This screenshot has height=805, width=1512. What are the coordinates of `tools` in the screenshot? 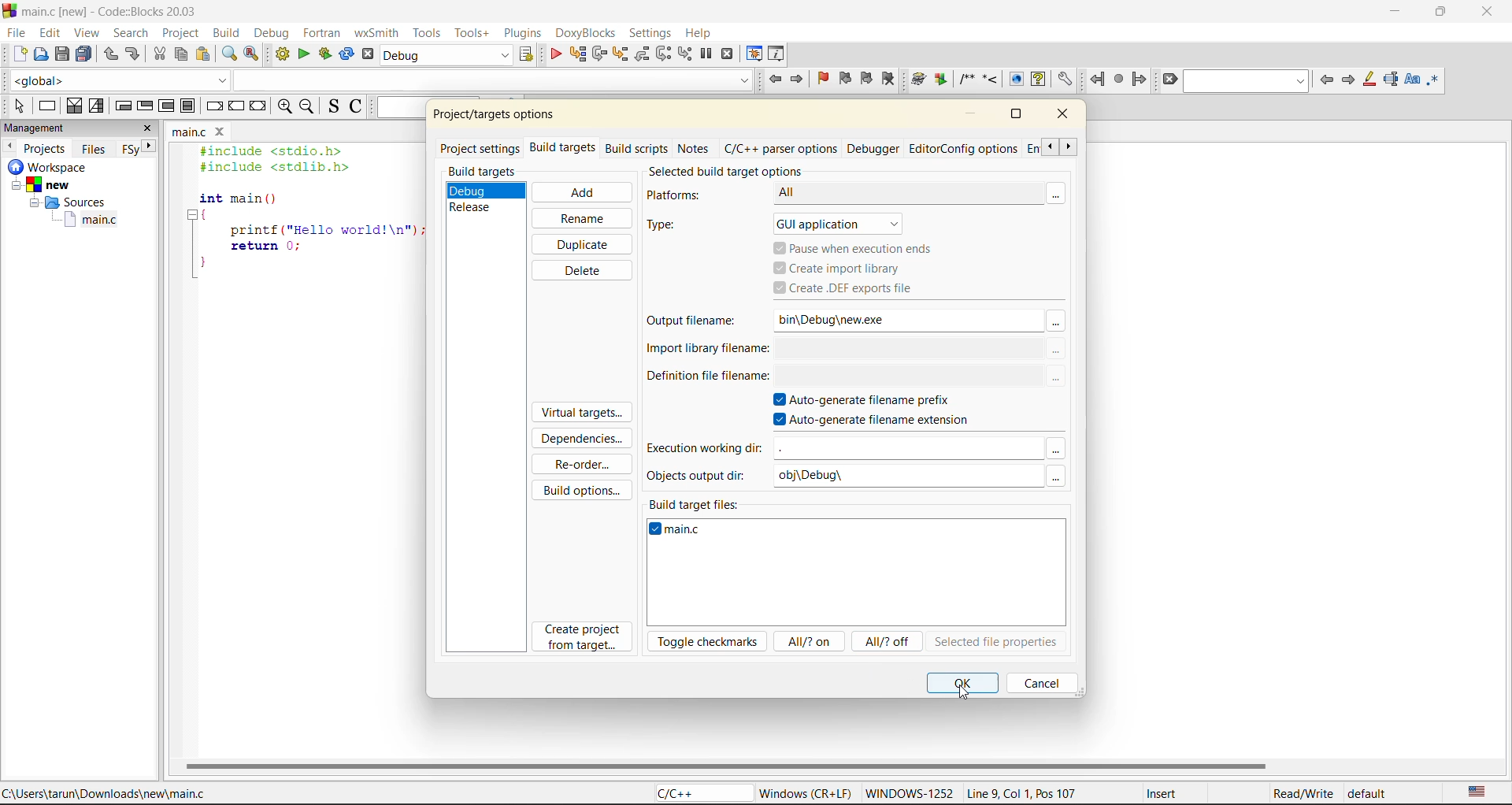 It's located at (429, 33).